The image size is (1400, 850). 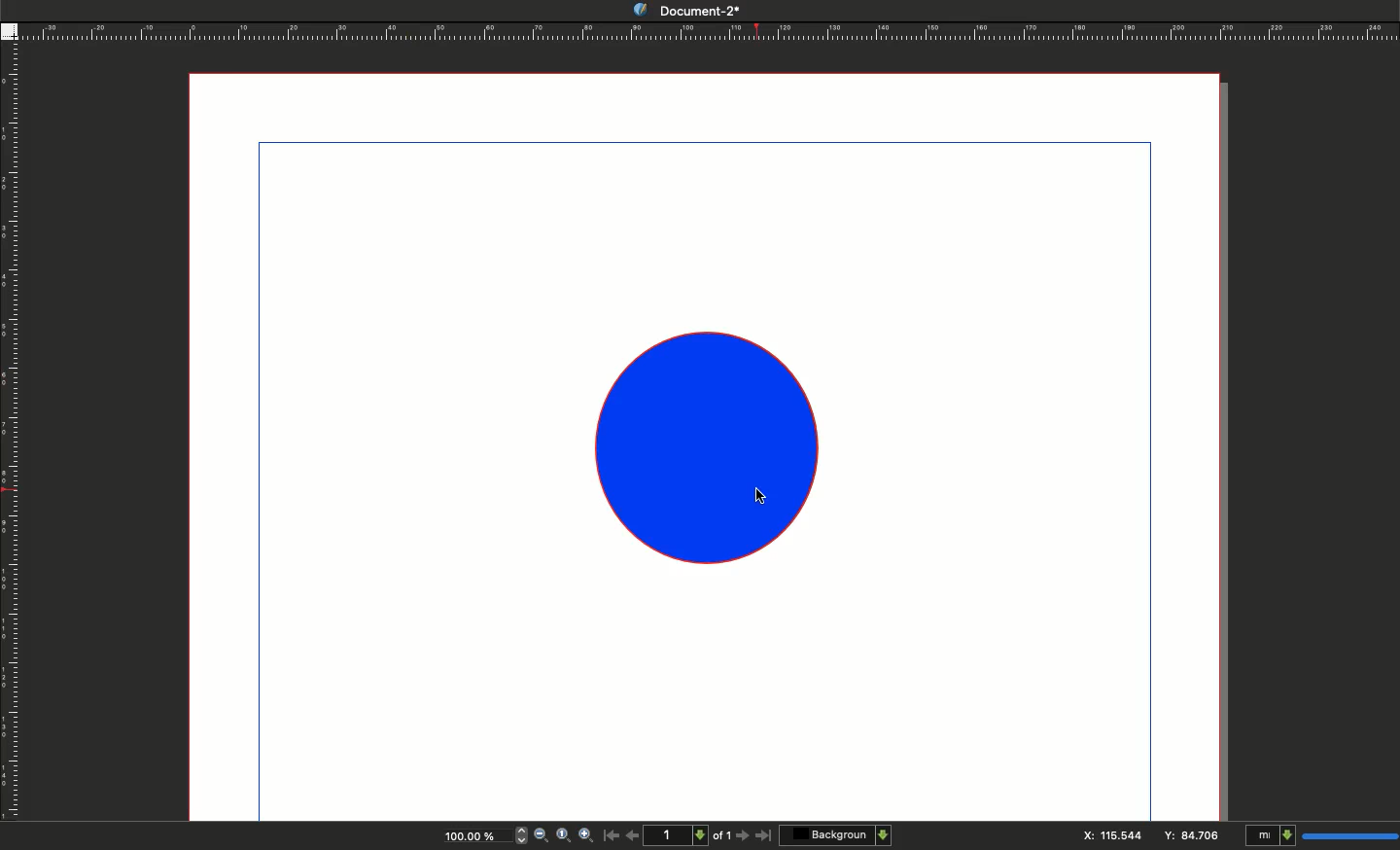 I want to click on Ruler, so click(x=9, y=442).